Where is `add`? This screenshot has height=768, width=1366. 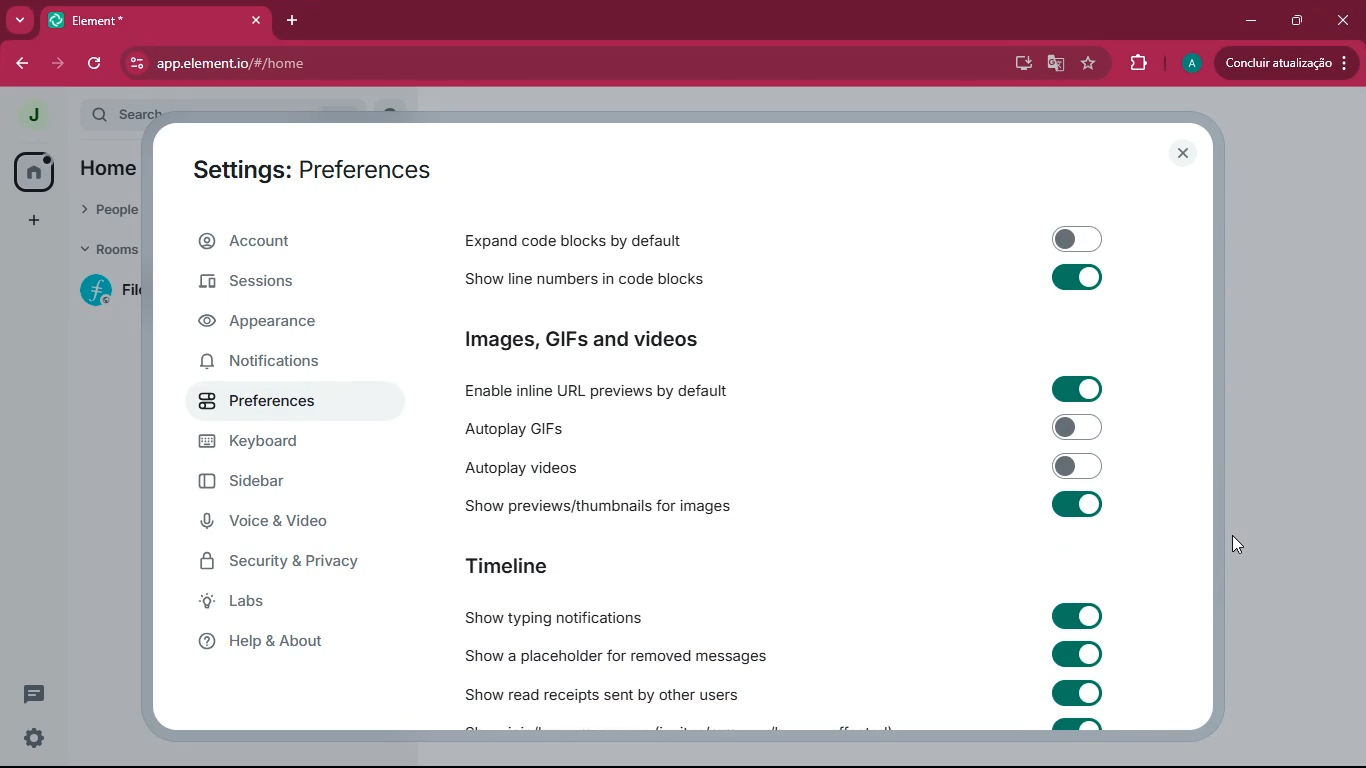
add is located at coordinates (32, 221).